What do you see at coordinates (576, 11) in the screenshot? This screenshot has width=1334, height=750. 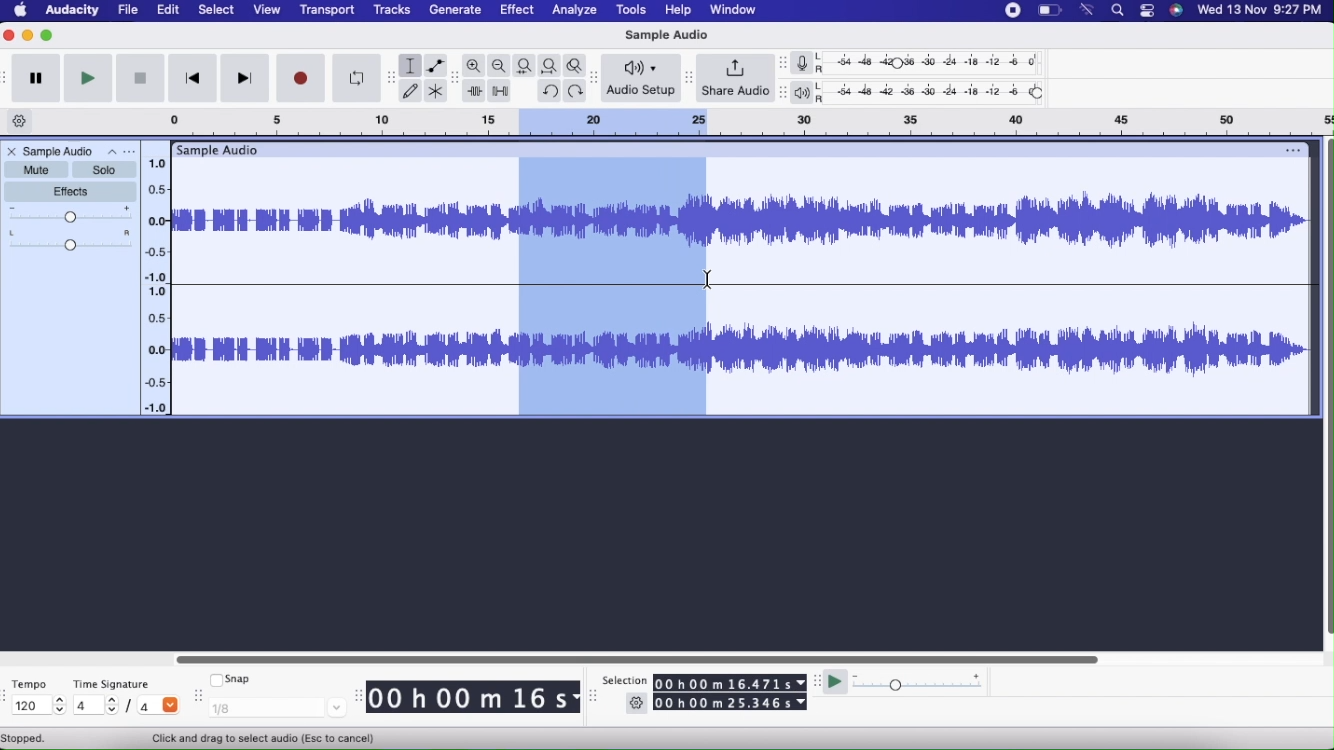 I see `analyze` at bounding box center [576, 11].